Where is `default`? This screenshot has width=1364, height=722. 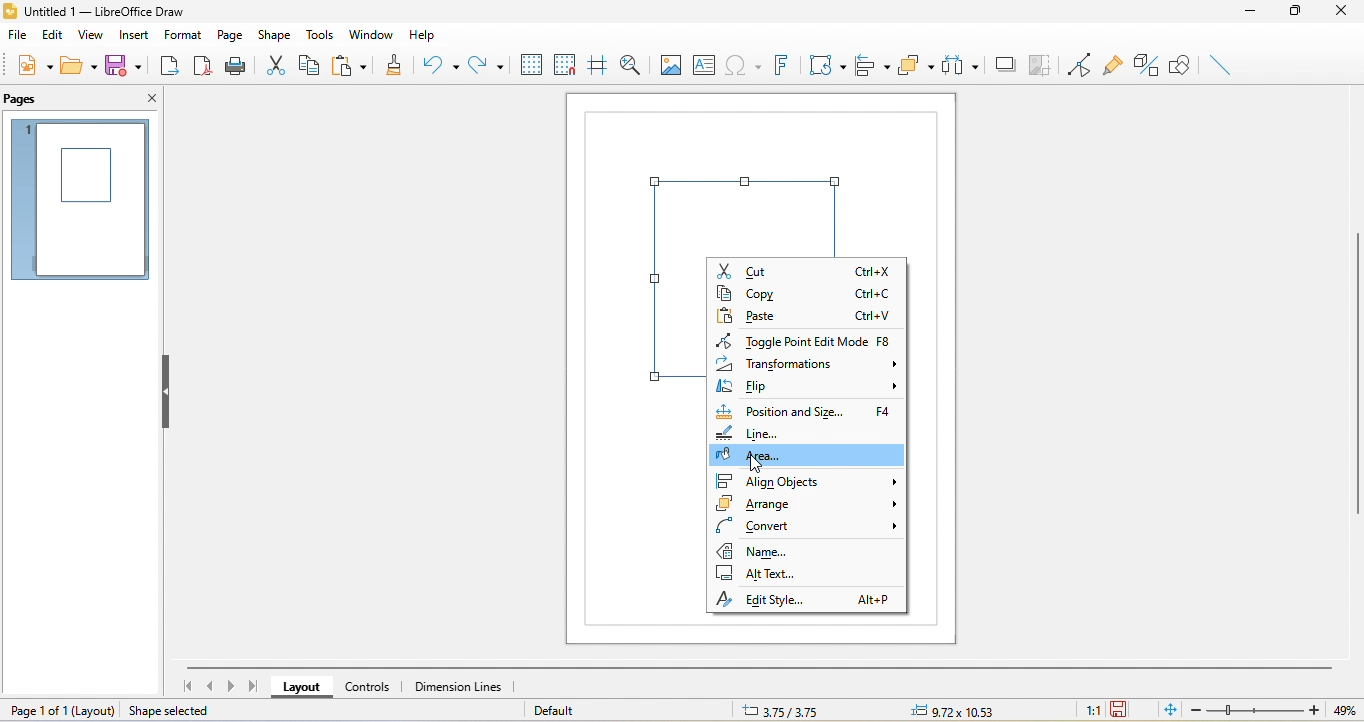
default is located at coordinates (573, 710).